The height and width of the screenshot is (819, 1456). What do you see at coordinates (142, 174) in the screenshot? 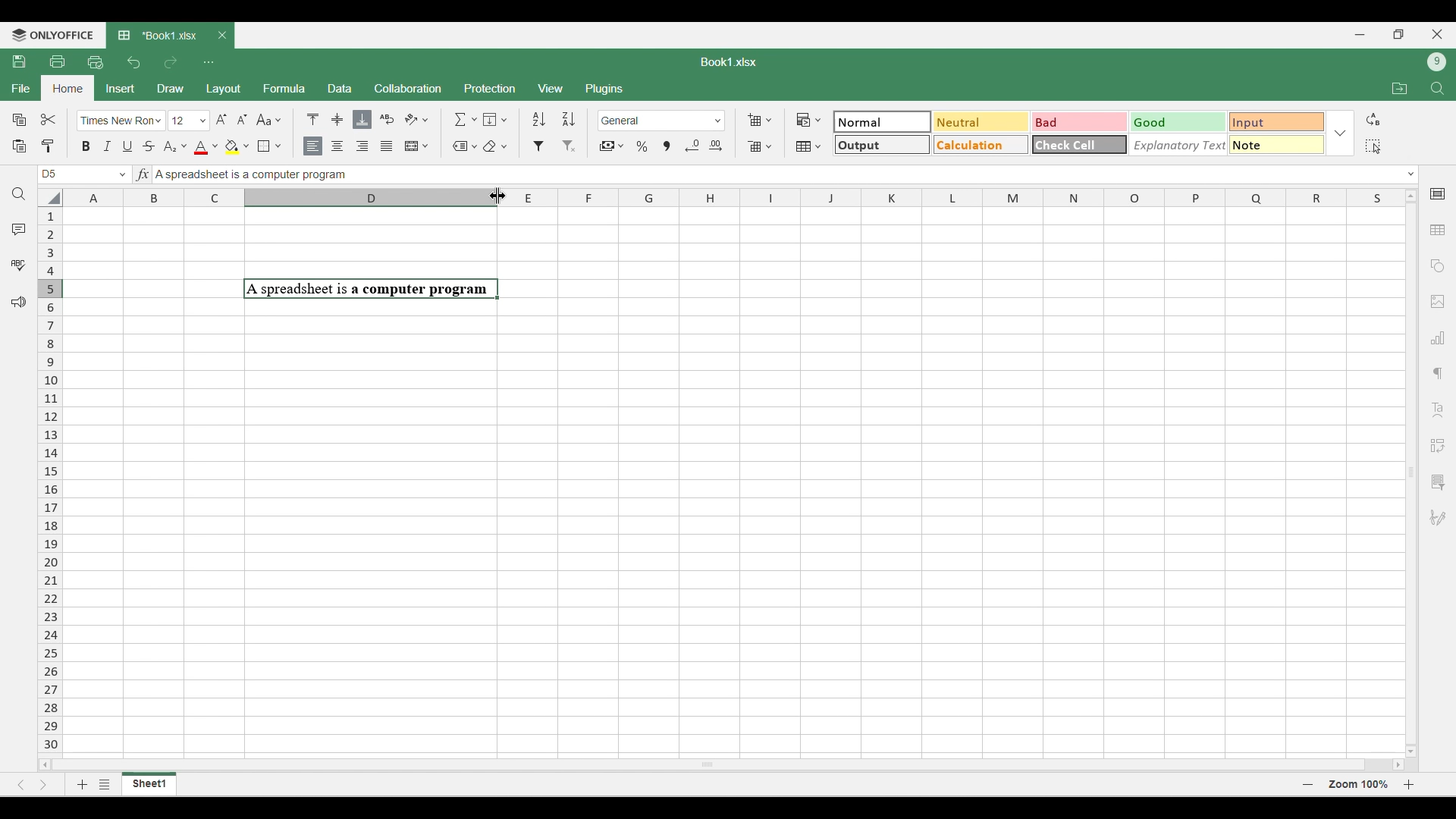
I see `Type in equation` at bounding box center [142, 174].